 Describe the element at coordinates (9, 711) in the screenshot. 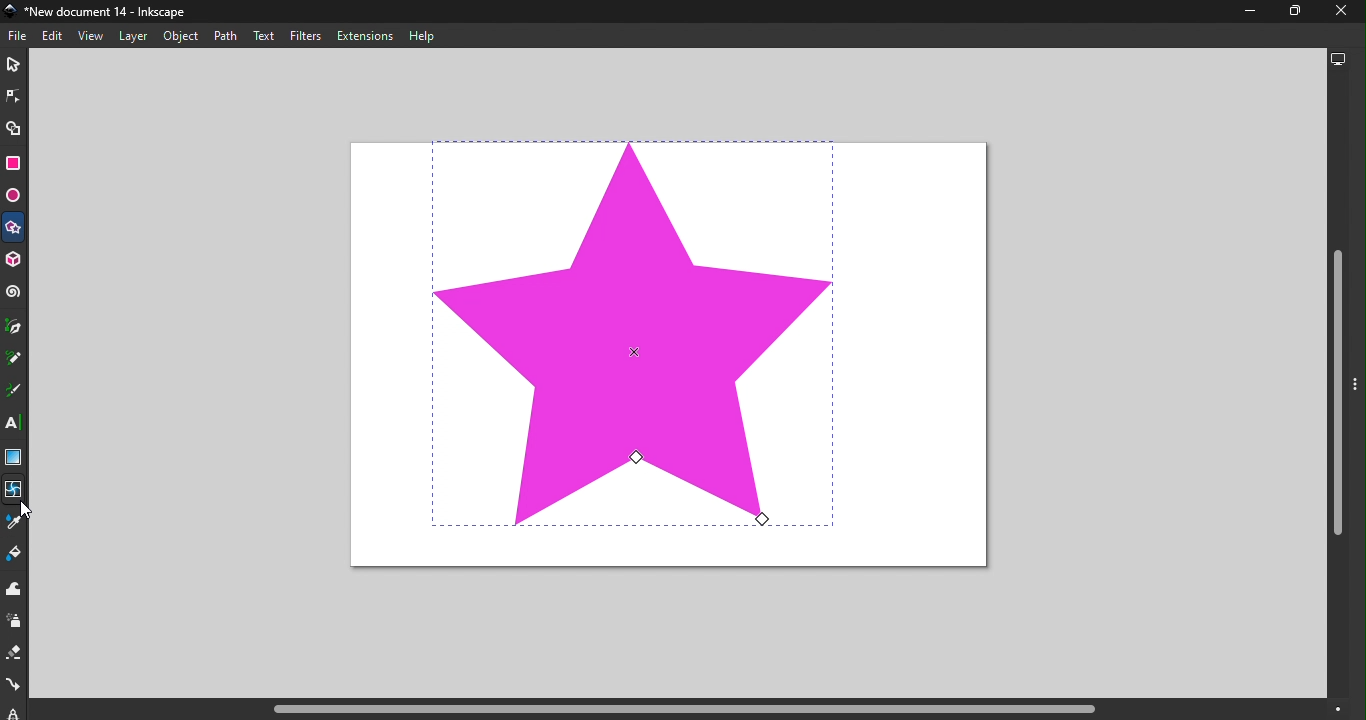

I see `lpe` at that location.